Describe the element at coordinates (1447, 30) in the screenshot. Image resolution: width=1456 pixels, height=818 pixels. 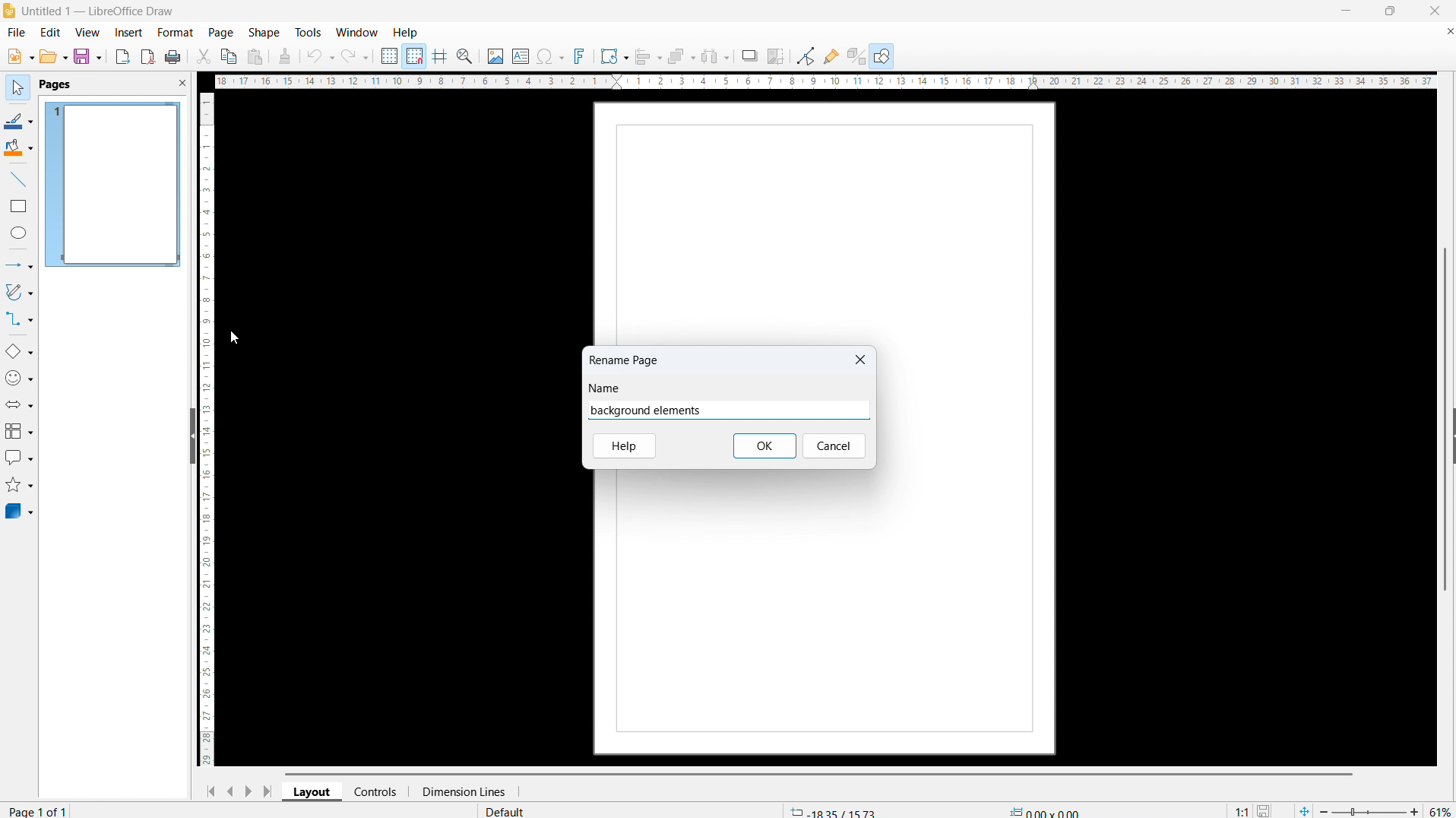
I see `Close document ` at that location.